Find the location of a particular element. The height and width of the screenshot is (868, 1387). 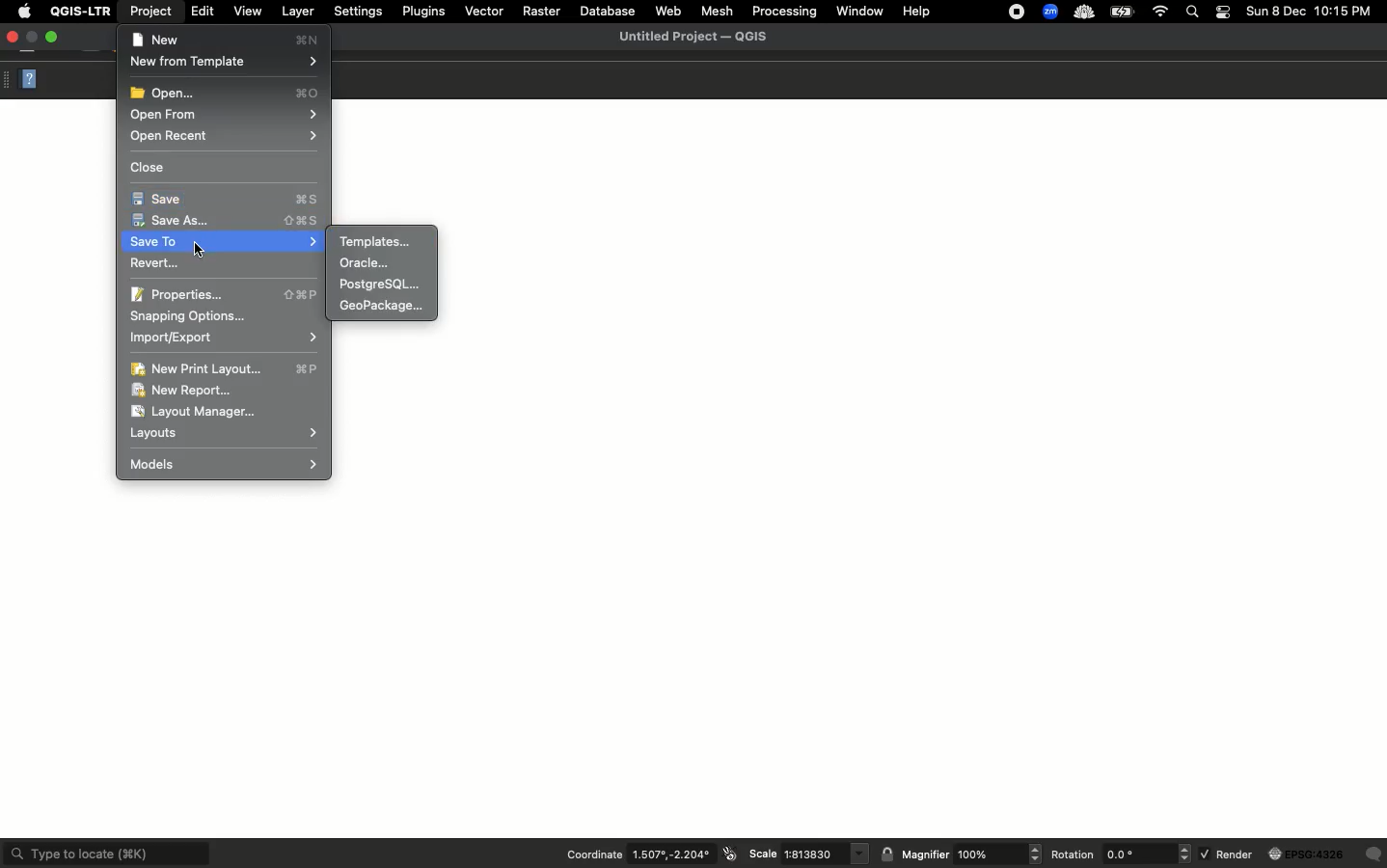

coordinates is located at coordinates (670, 855).